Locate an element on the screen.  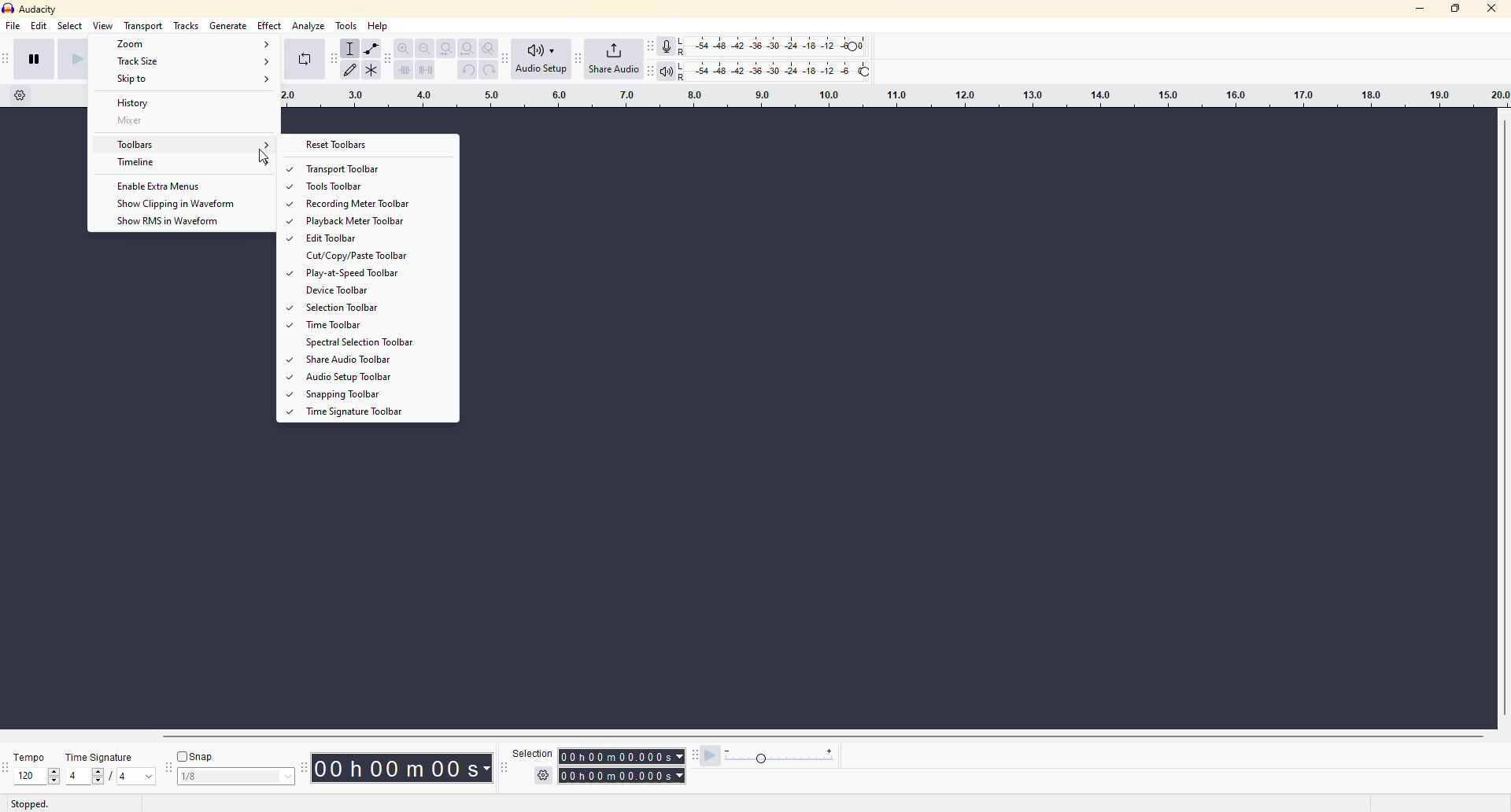
spectral selection toolbar is located at coordinates (360, 343).